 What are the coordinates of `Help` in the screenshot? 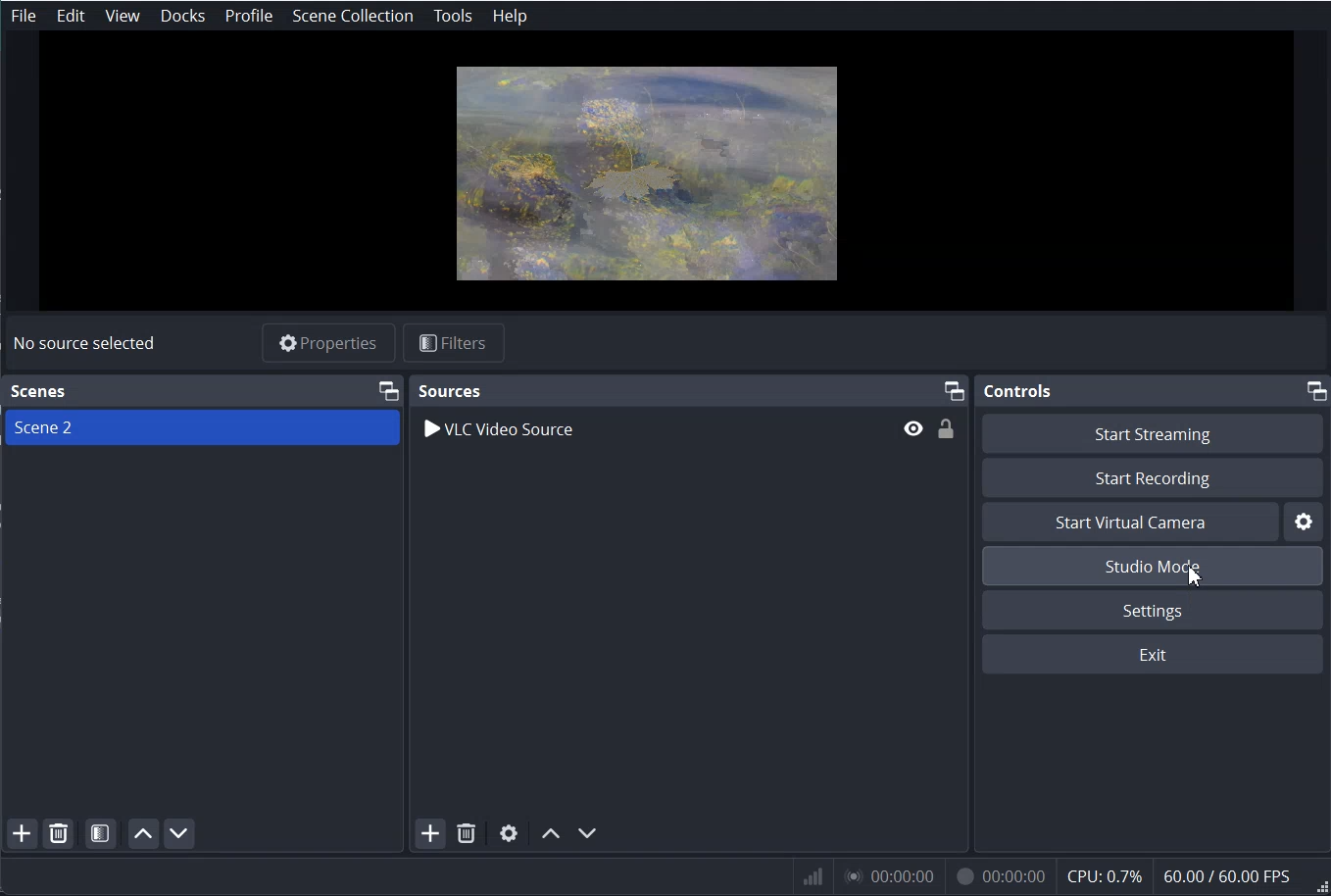 It's located at (509, 16).